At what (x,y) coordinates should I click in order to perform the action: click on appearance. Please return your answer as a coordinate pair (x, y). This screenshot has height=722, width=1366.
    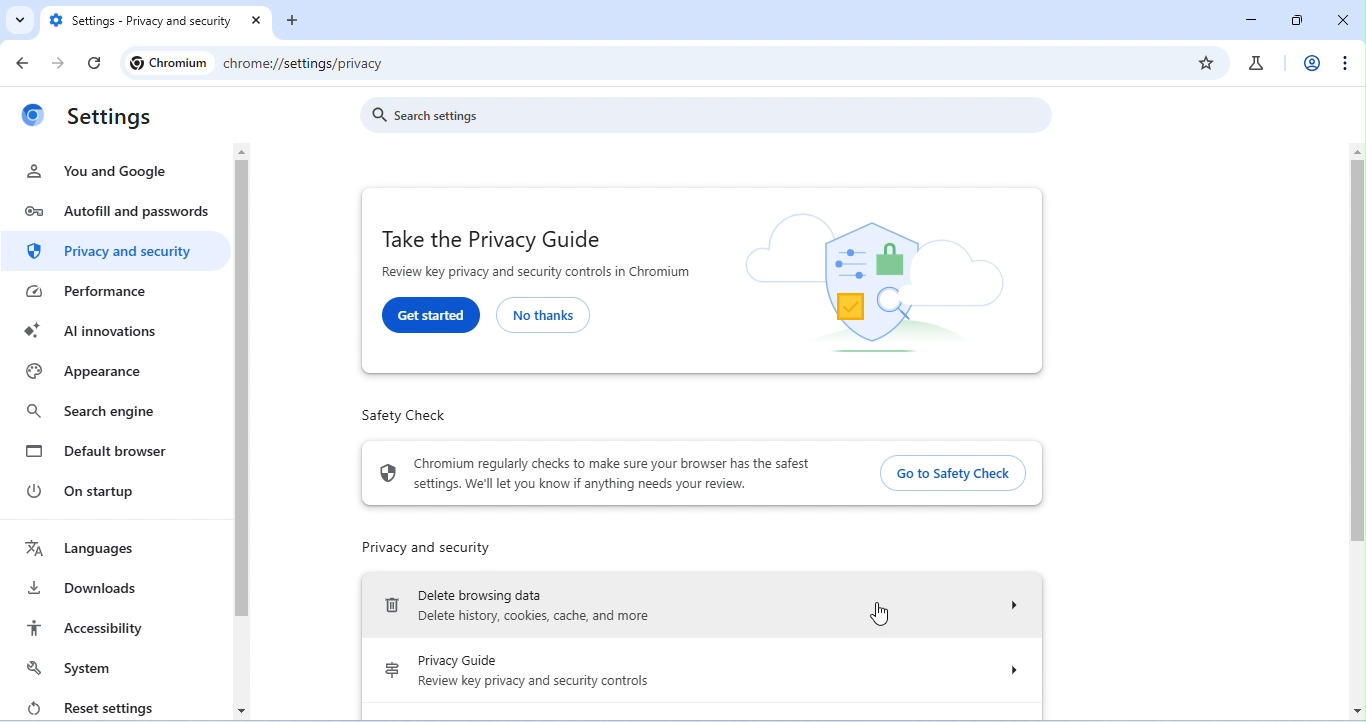
    Looking at the image, I should click on (86, 373).